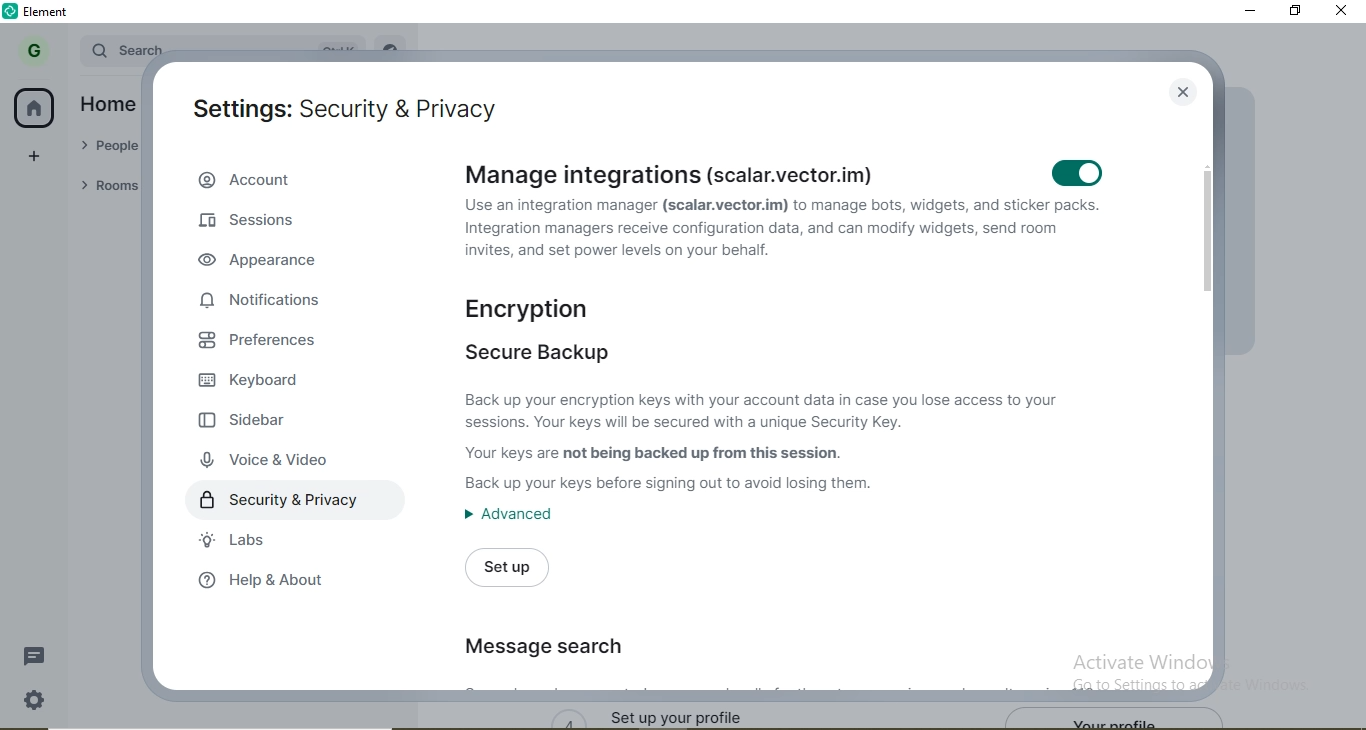  I want to click on restore, so click(1294, 10).